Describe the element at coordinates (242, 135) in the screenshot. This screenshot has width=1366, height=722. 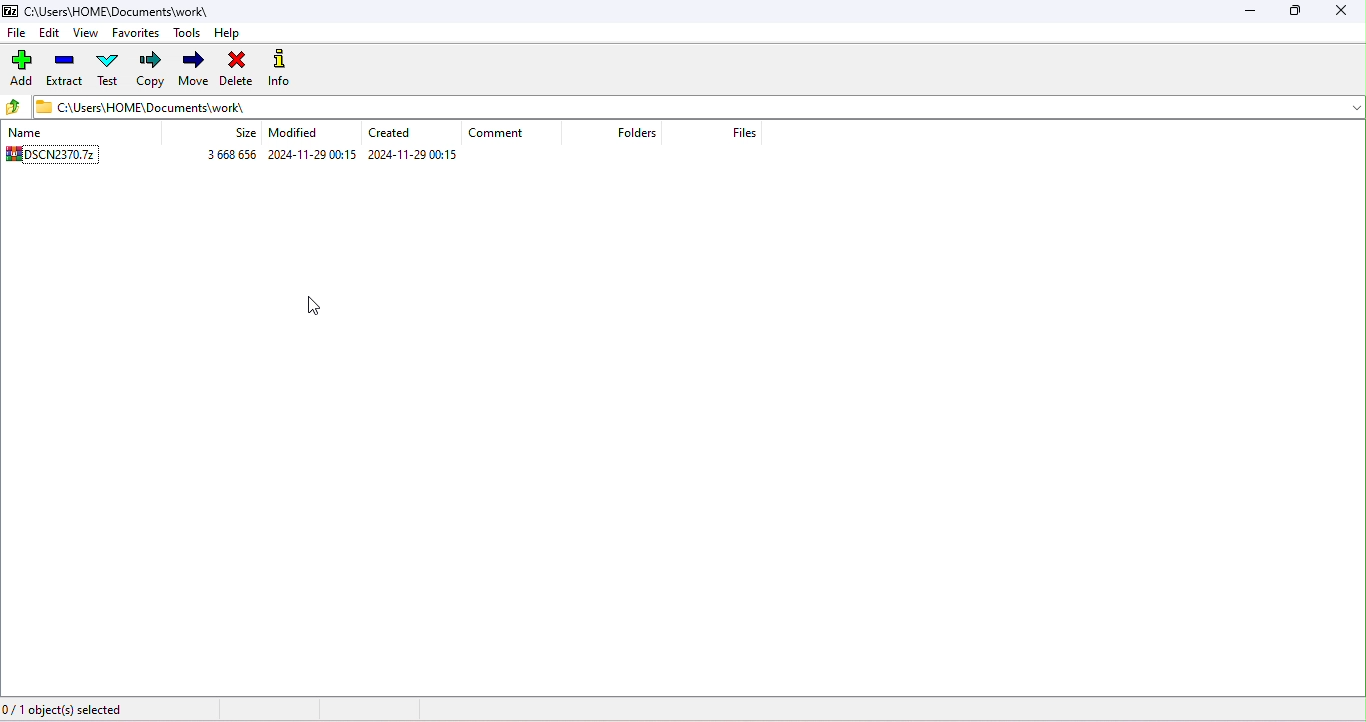
I see `size` at that location.